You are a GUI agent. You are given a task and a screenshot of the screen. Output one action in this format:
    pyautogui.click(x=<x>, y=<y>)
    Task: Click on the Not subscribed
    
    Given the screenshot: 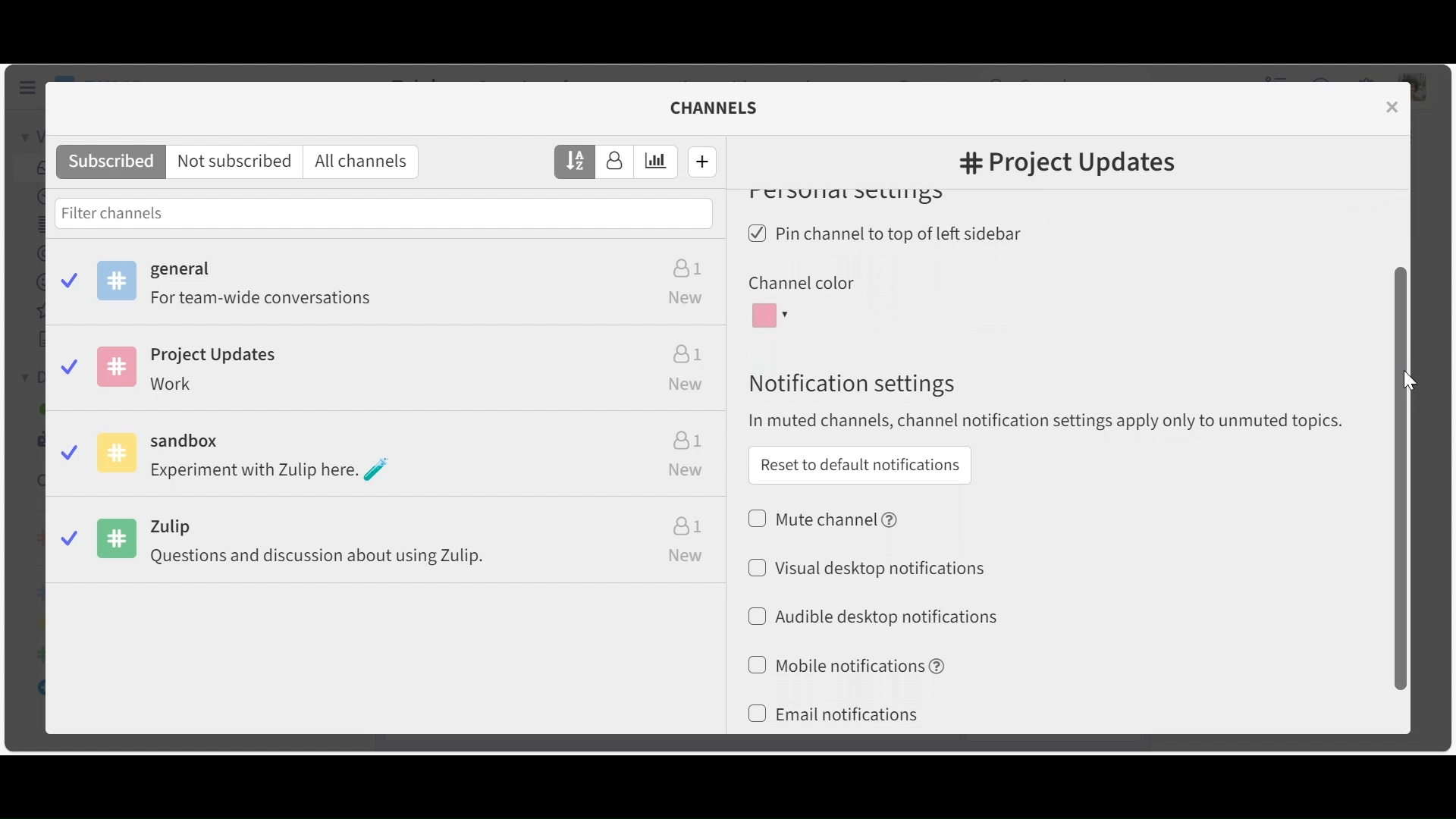 What is the action you would take?
    pyautogui.click(x=237, y=162)
    